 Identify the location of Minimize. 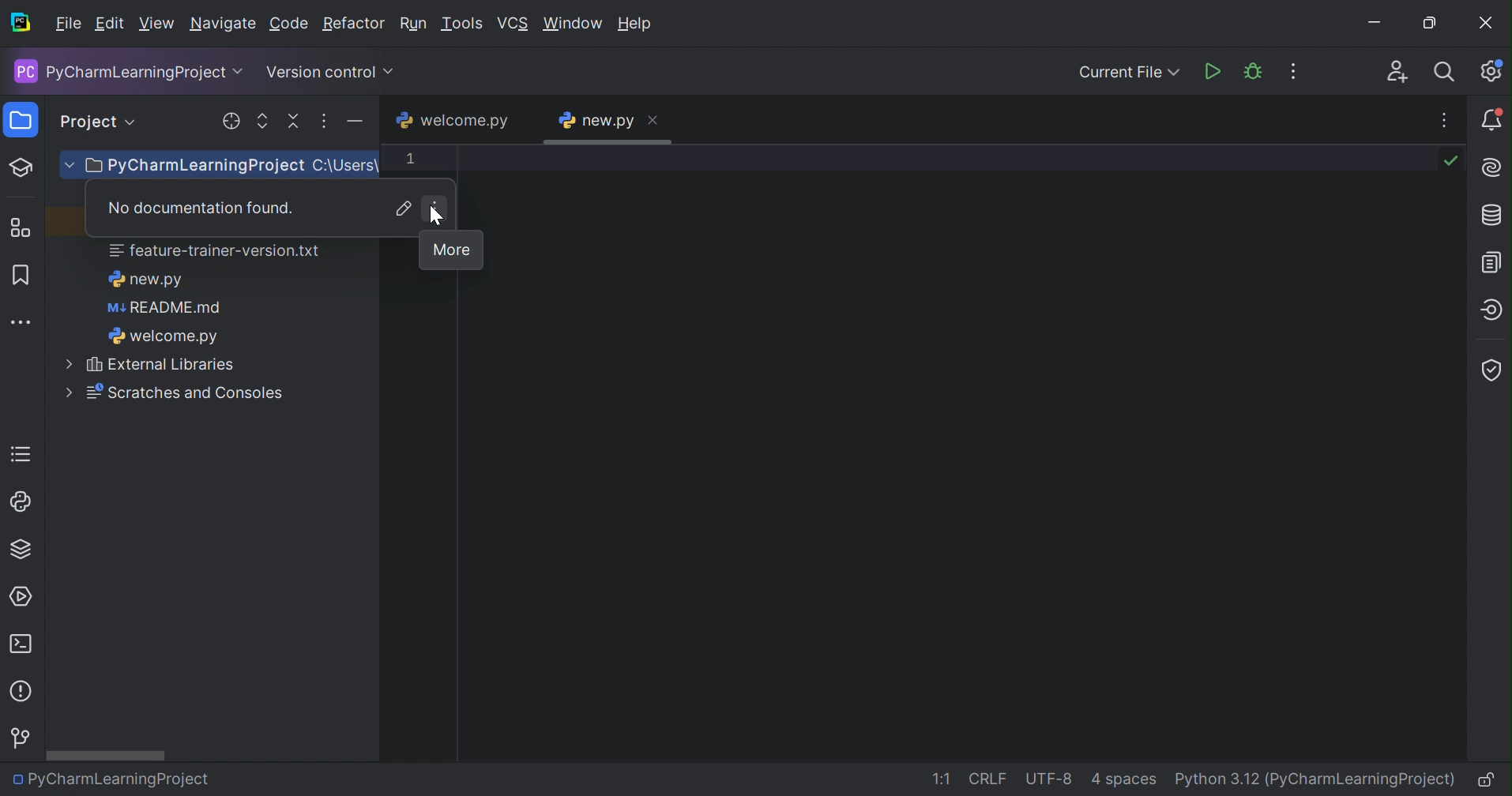
(1377, 22).